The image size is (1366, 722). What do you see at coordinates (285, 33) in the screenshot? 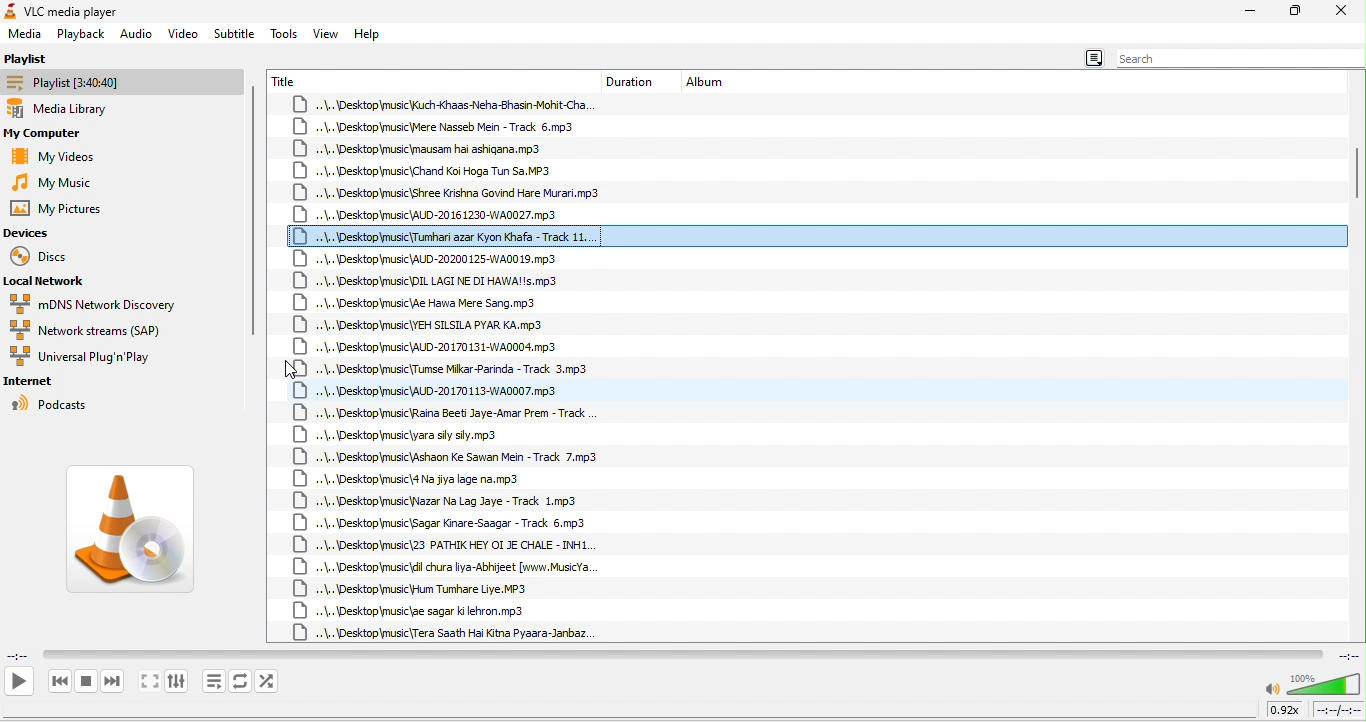
I see `tools` at bounding box center [285, 33].